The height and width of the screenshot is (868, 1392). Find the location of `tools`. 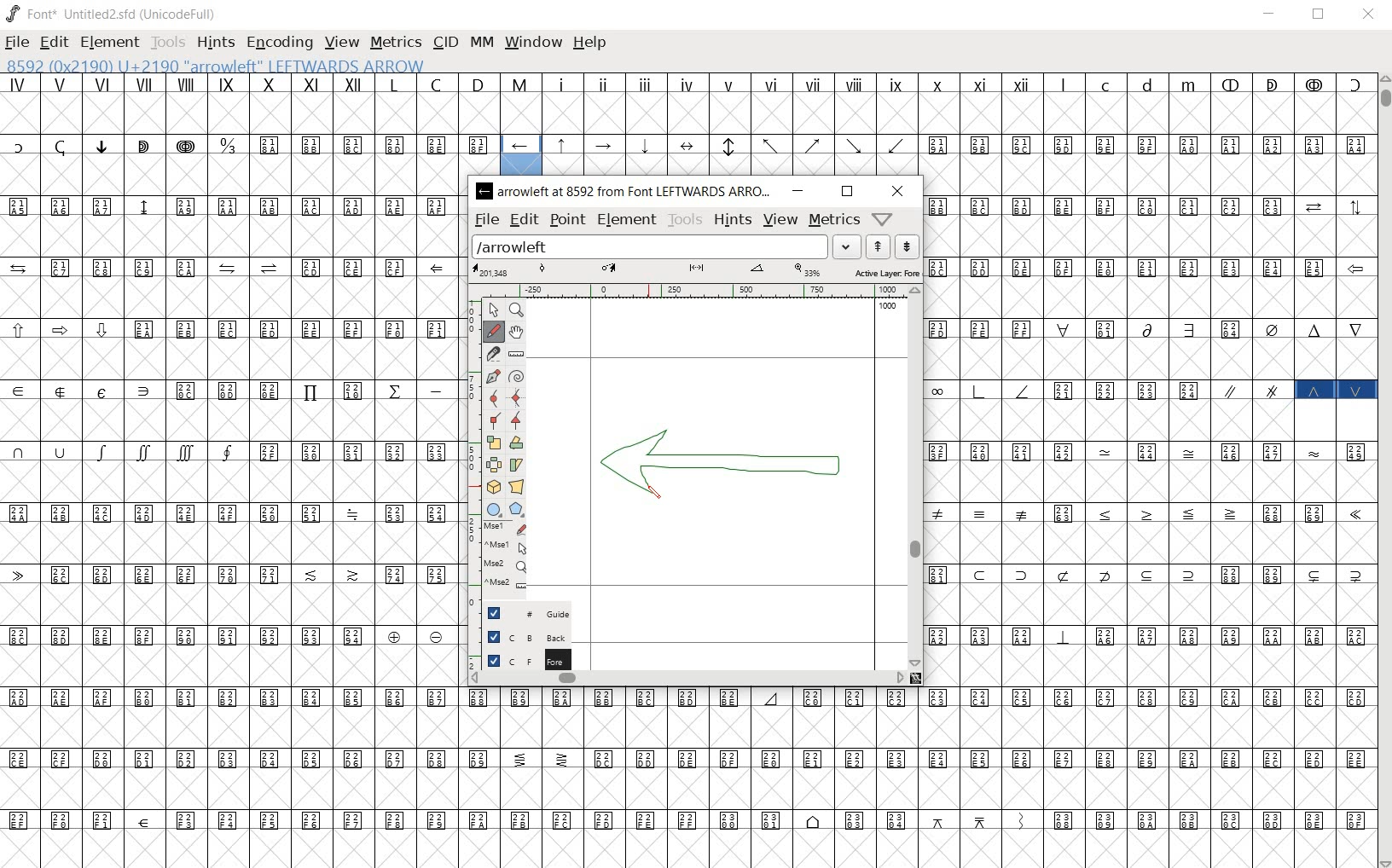

tools is located at coordinates (167, 44).